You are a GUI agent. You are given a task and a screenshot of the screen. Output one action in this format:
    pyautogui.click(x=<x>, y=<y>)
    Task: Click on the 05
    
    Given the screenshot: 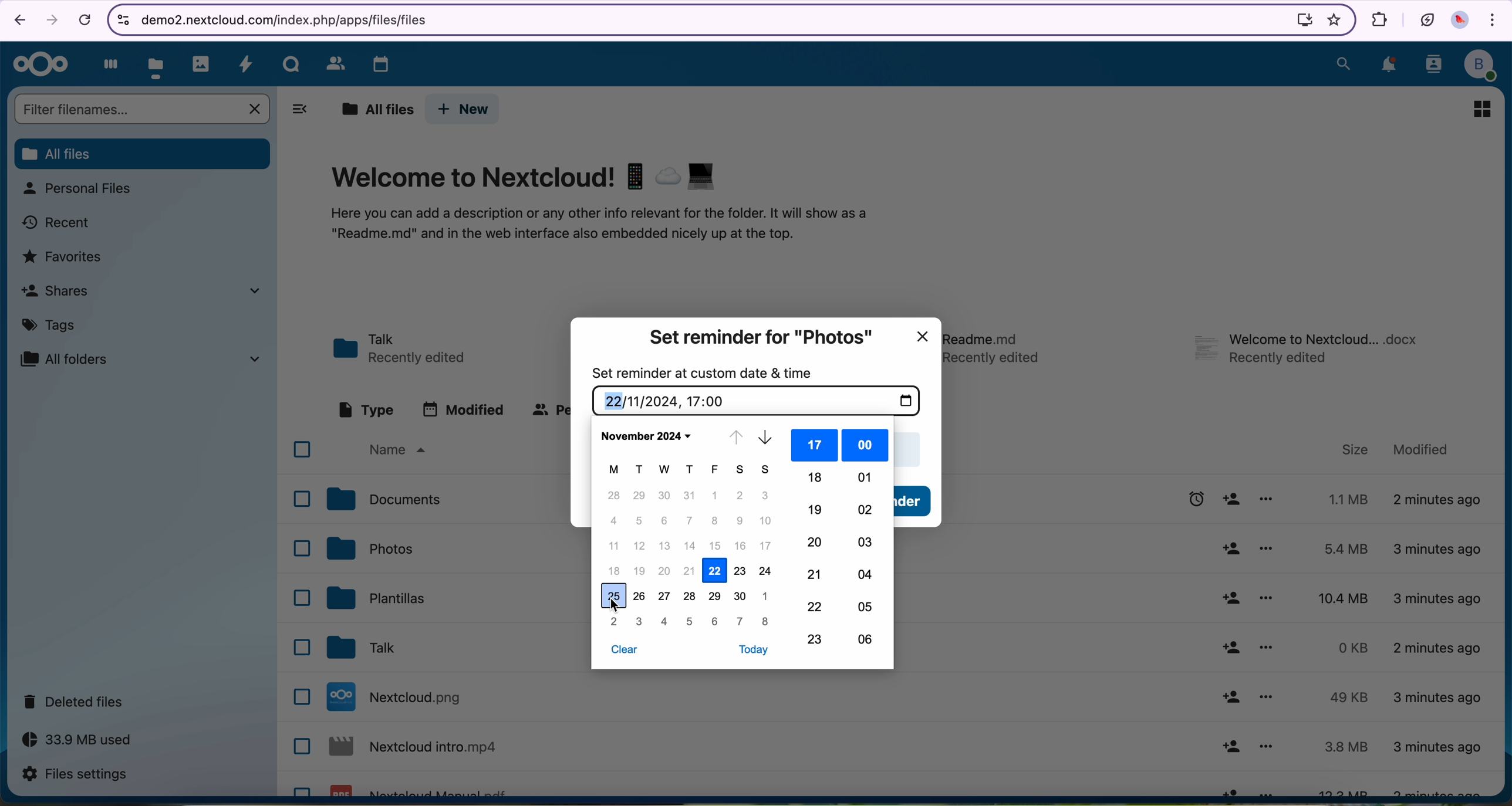 What is the action you would take?
    pyautogui.click(x=862, y=606)
    